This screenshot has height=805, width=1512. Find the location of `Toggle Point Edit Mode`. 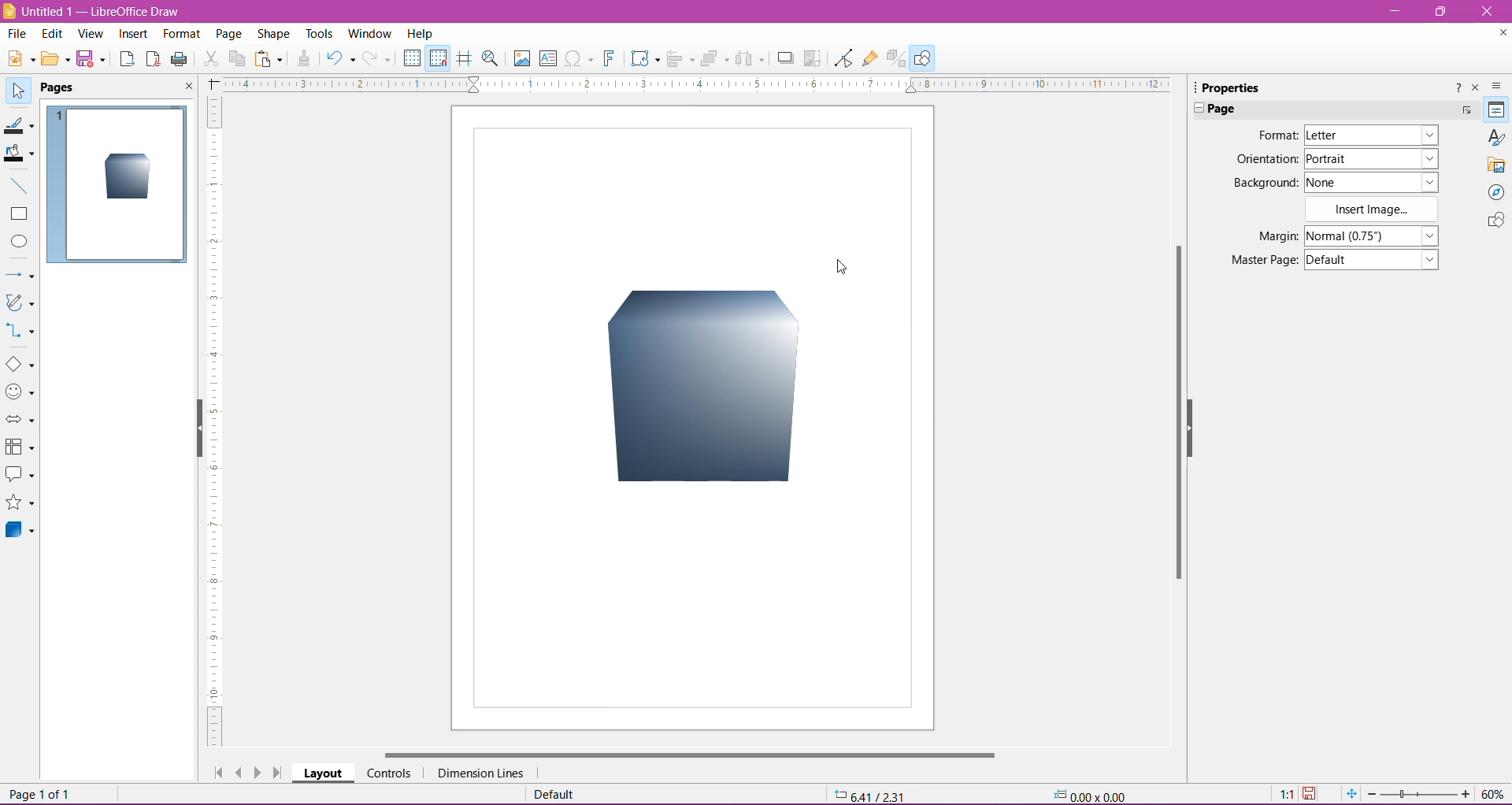

Toggle Point Edit Mode is located at coordinates (843, 58).